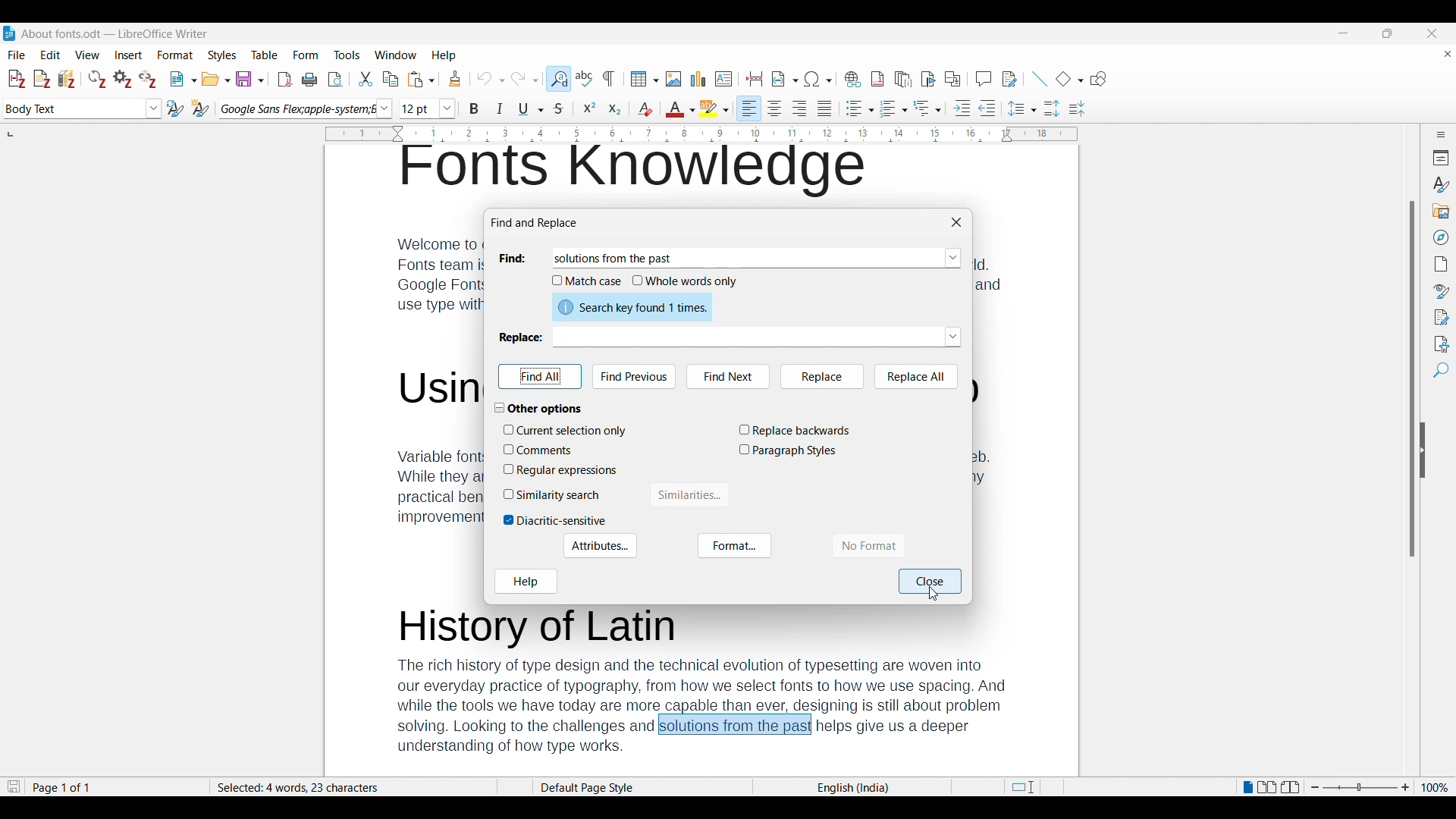 Image resolution: width=1456 pixels, height=819 pixels. I want to click on Type in text size, so click(419, 109).